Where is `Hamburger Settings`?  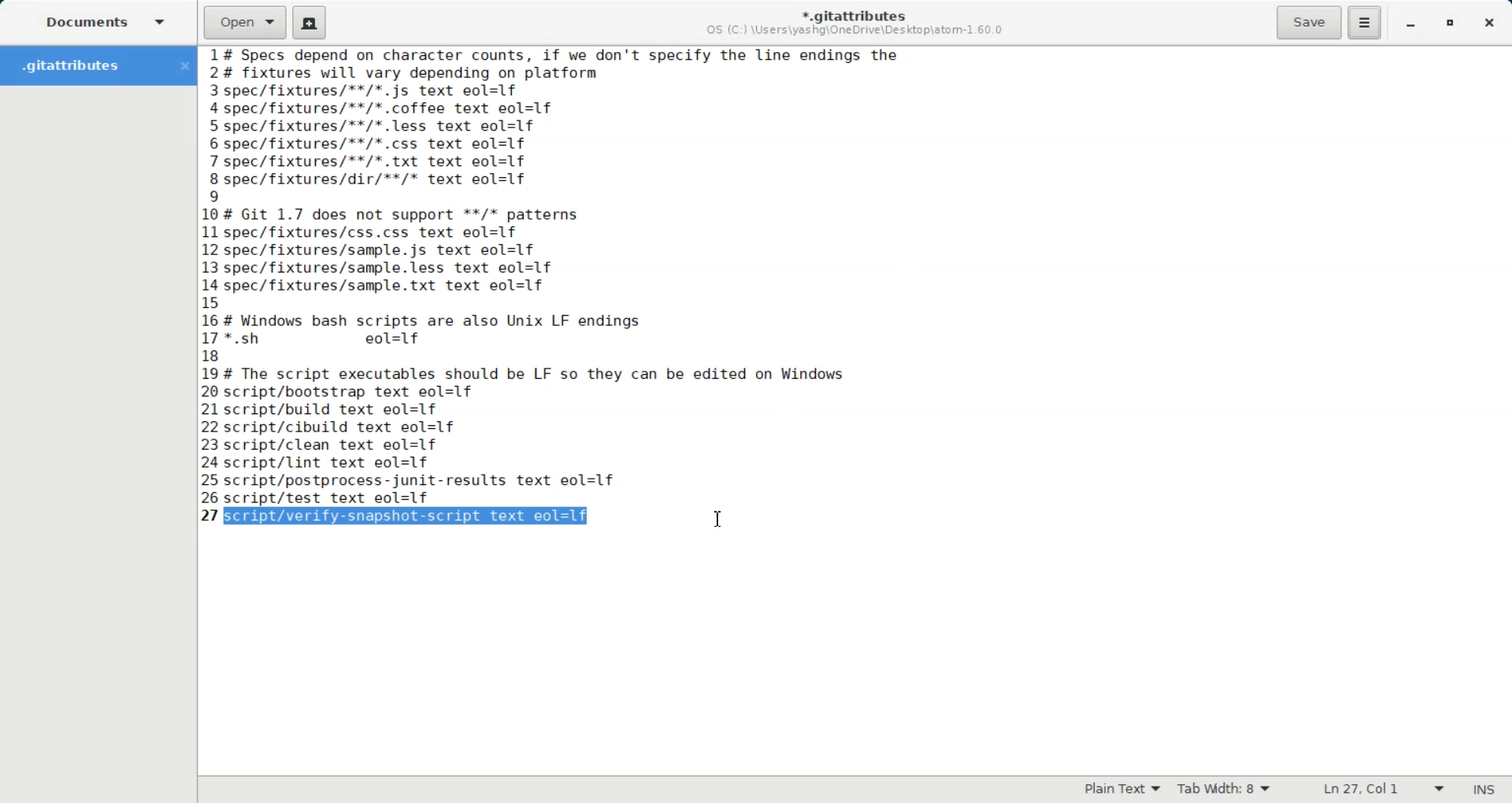 Hamburger Settings is located at coordinates (1365, 22).